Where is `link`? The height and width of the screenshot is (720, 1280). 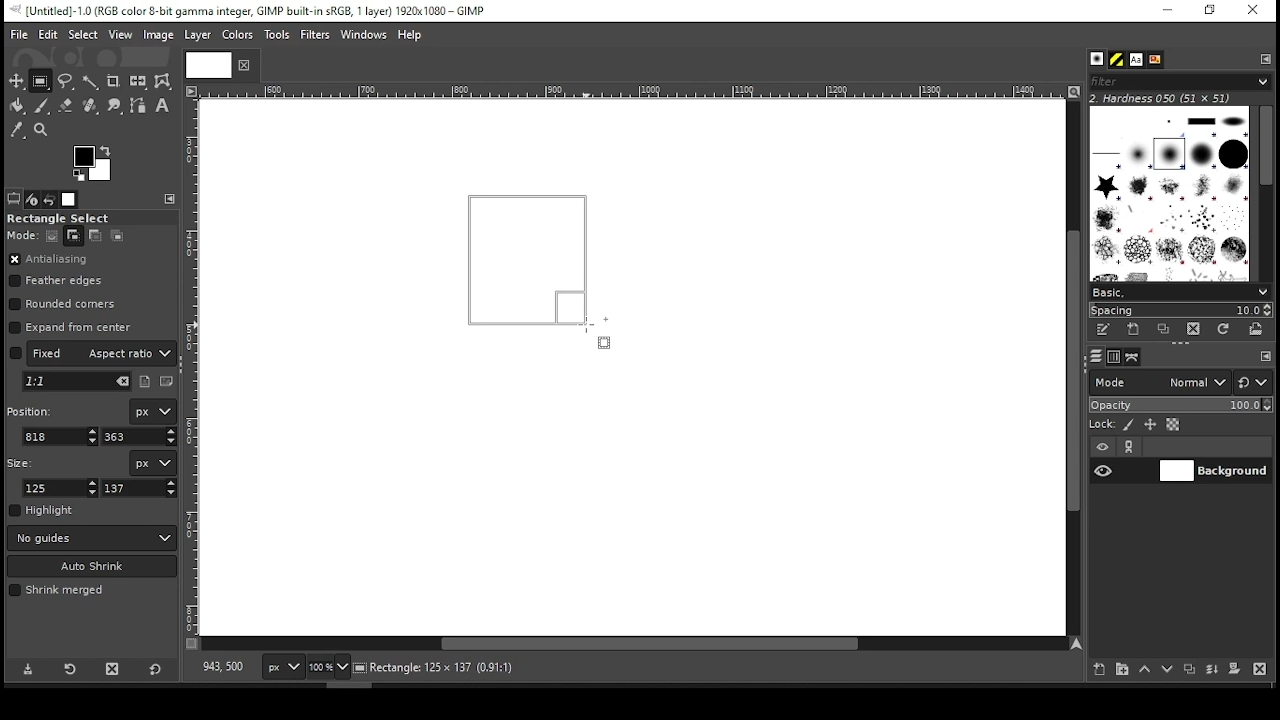 link is located at coordinates (1129, 447).